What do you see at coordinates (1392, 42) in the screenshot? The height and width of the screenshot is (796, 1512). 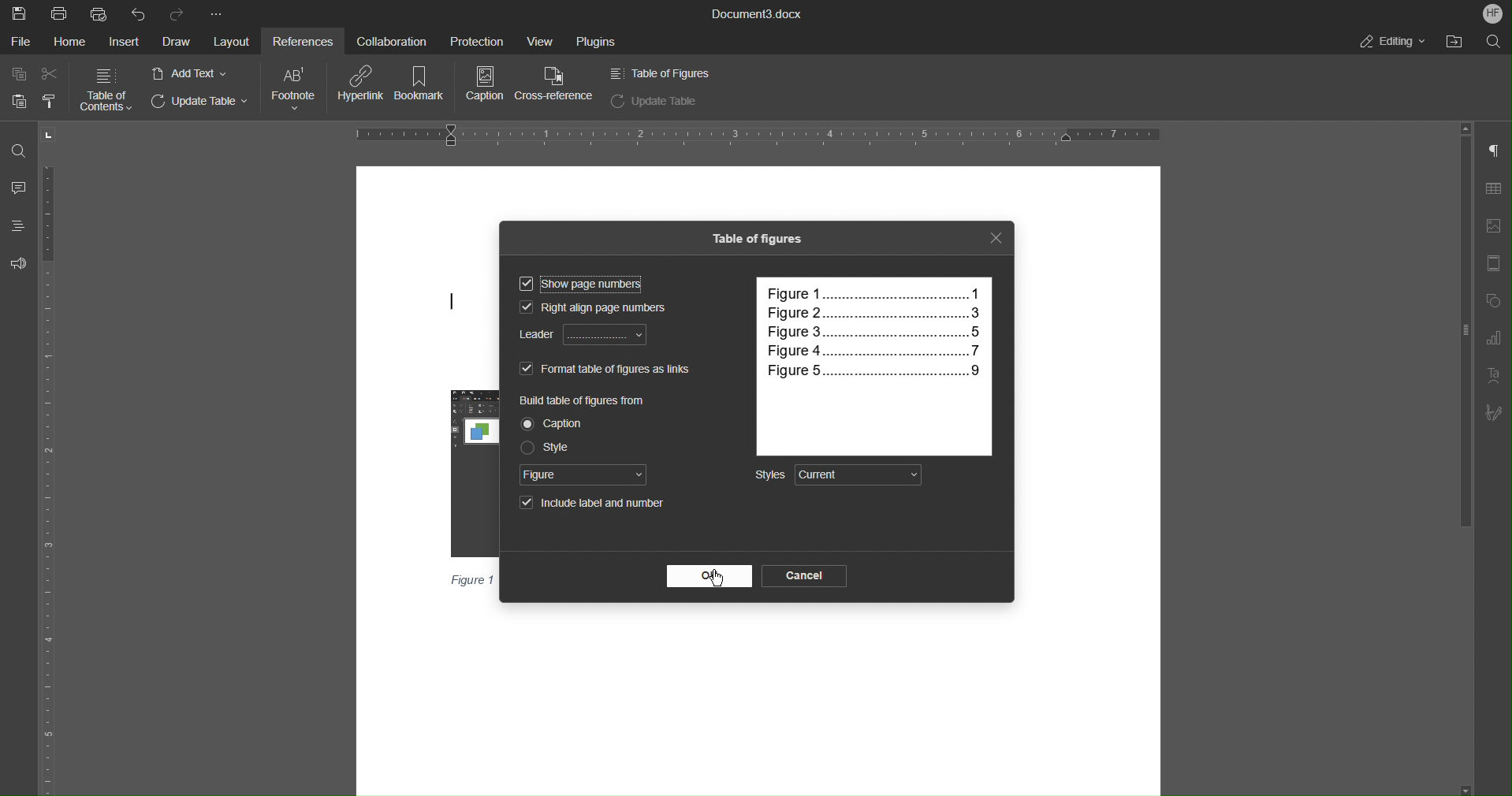 I see `Editing` at bounding box center [1392, 42].